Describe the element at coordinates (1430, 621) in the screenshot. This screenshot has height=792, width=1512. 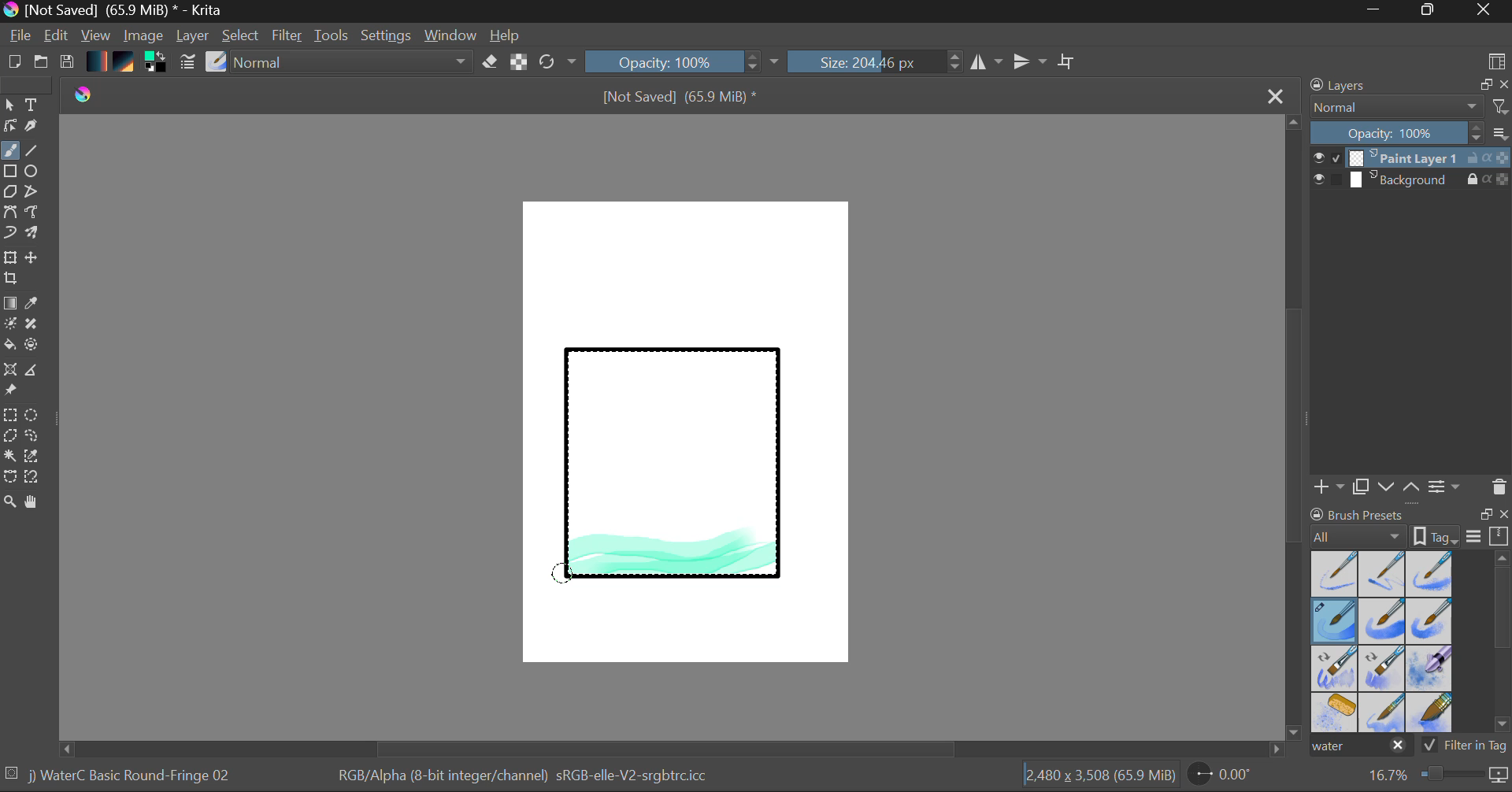
I see `Water C - Grunge` at that location.